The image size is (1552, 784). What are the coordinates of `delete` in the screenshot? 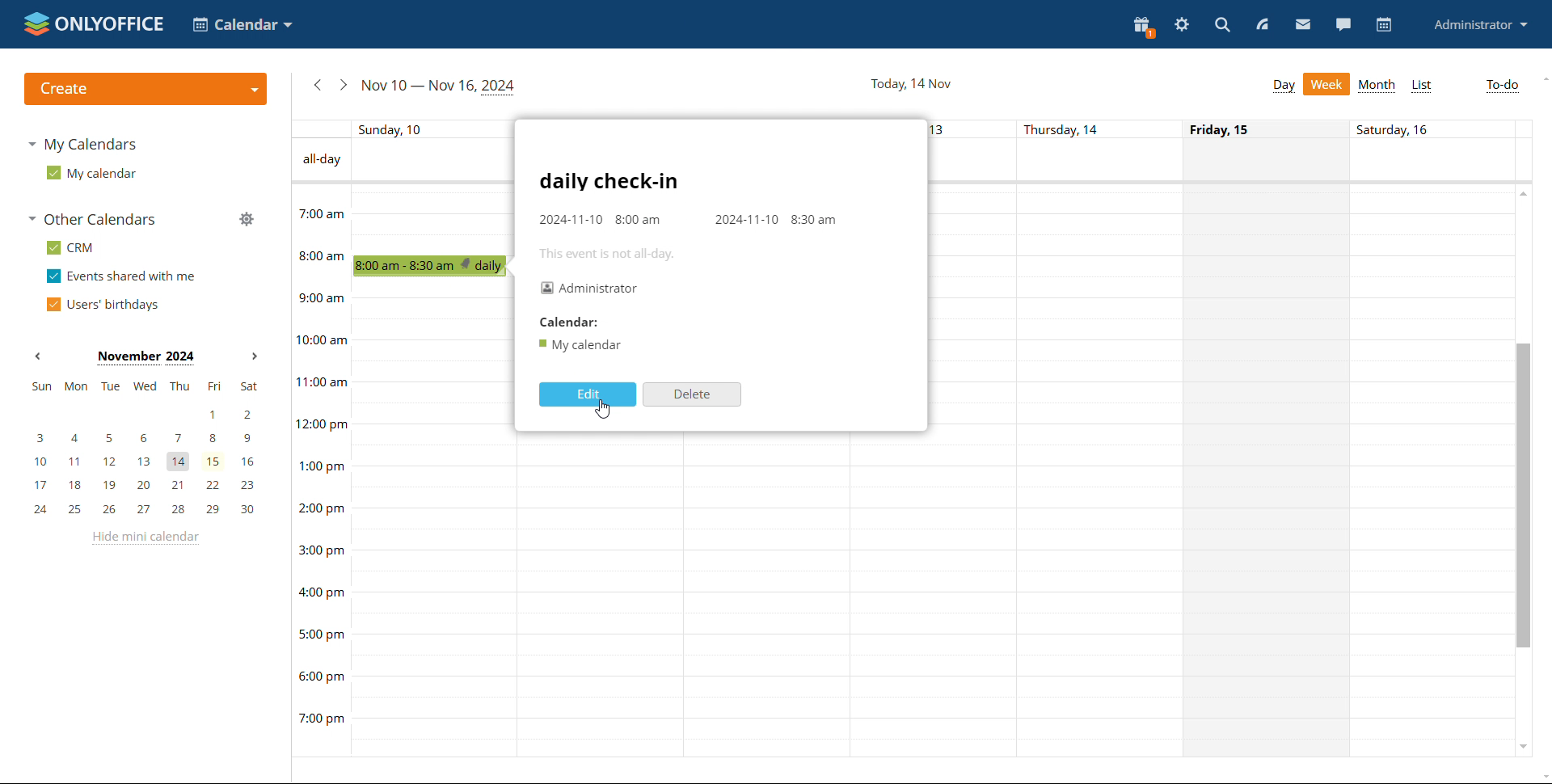 It's located at (691, 394).